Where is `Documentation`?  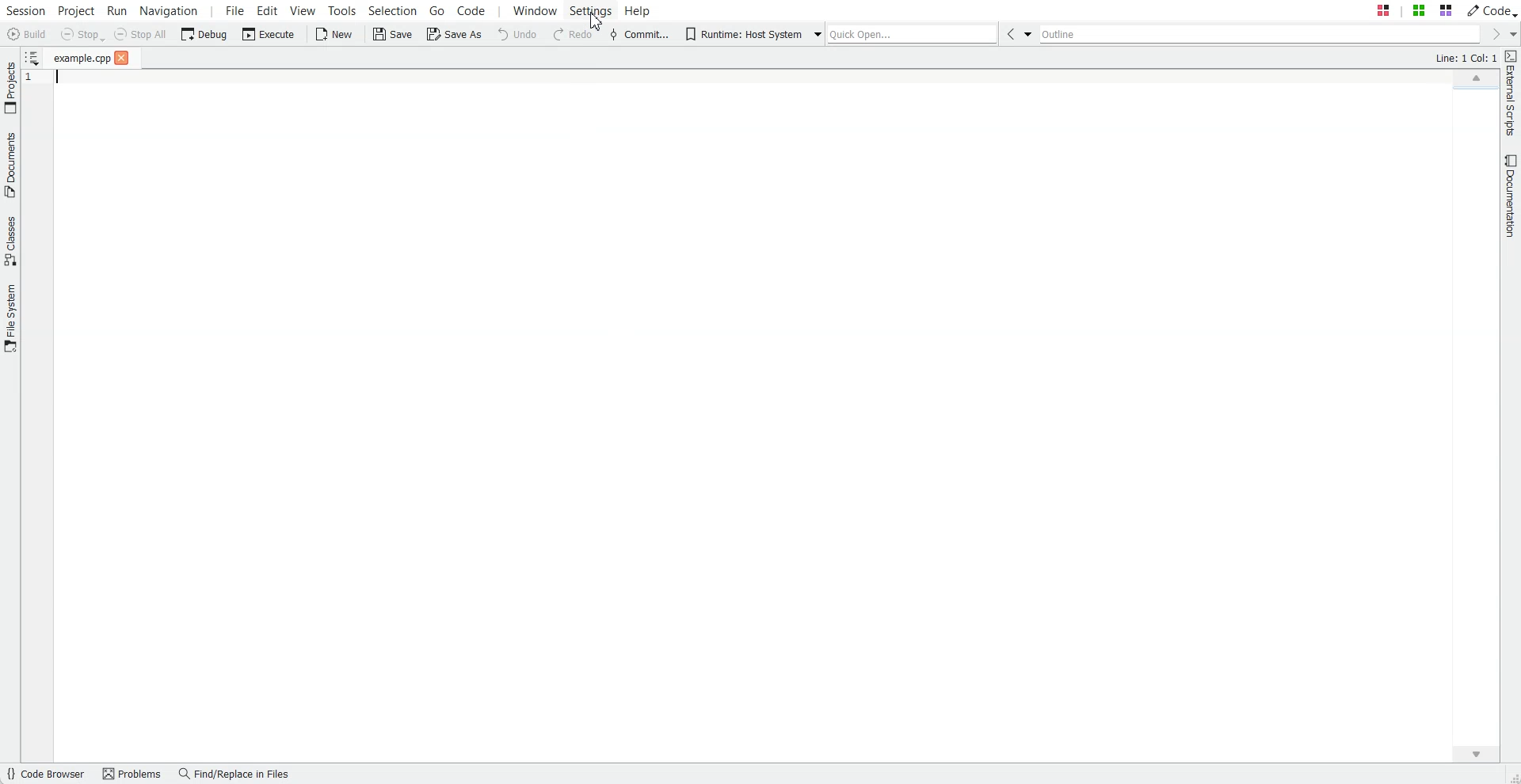
Documentation is located at coordinates (1511, 196).